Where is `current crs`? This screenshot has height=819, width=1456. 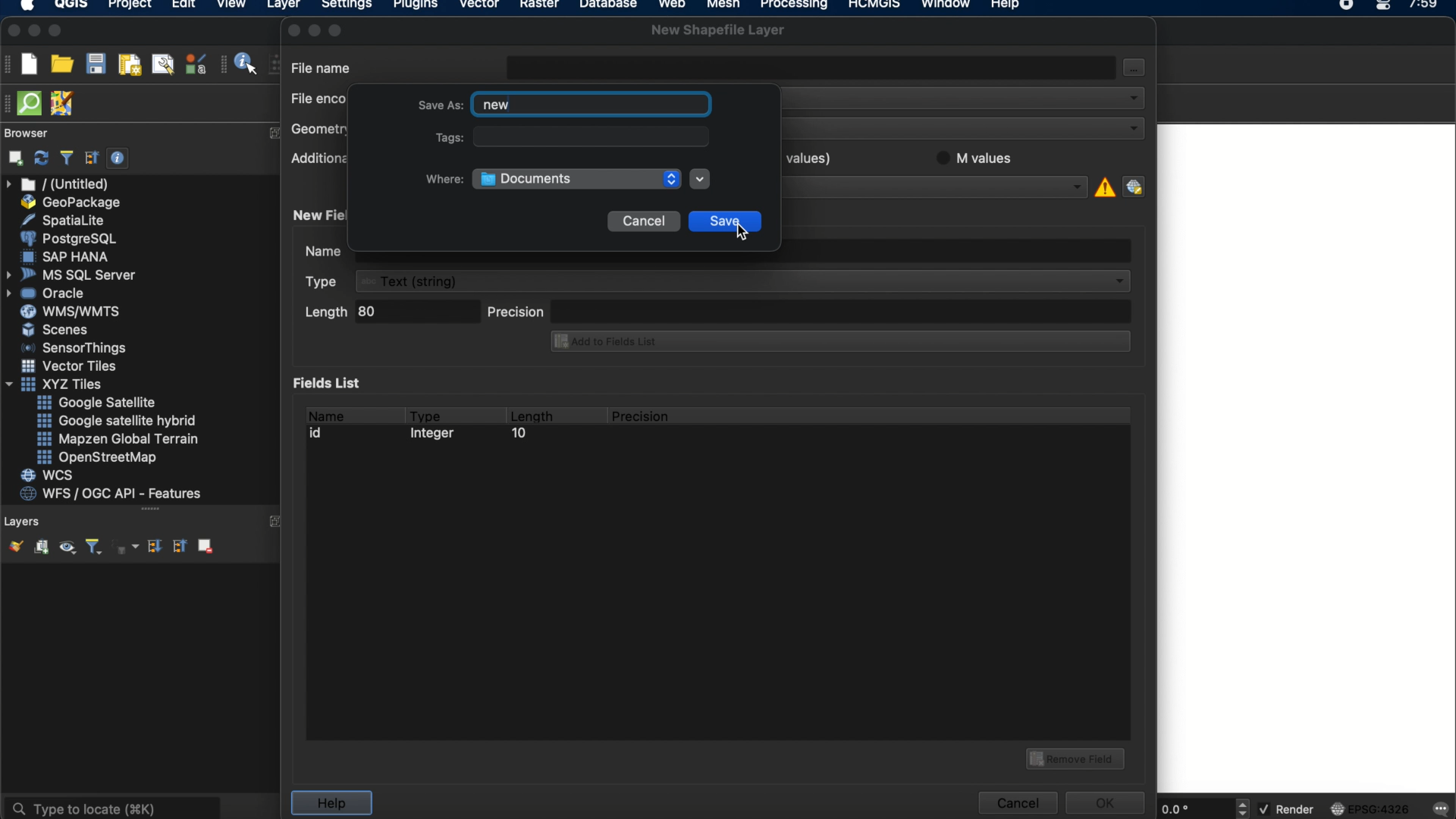
current crs is located at coordinates (1370, 808).